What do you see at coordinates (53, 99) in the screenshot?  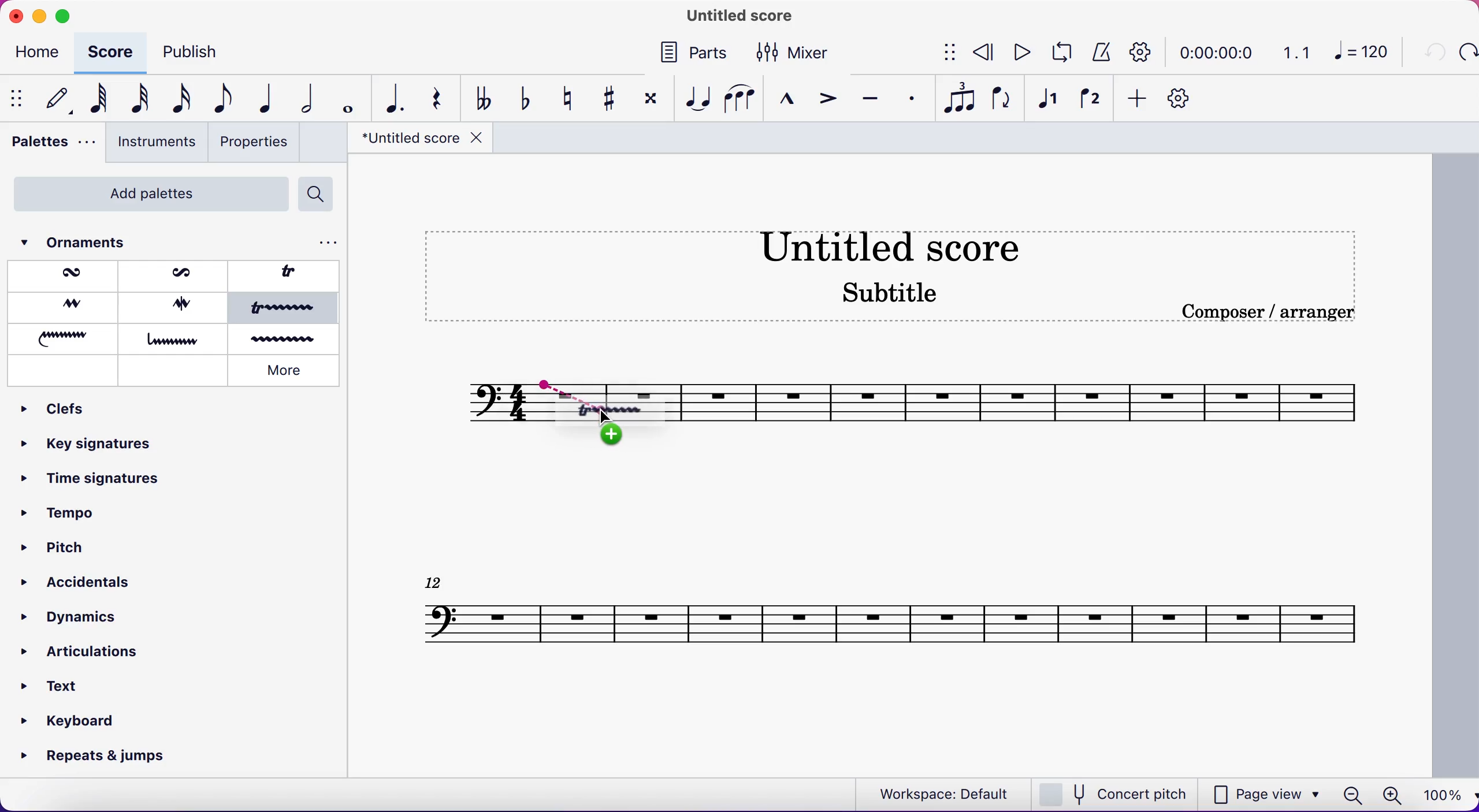 I see `default` at bounding box center [53, 99].